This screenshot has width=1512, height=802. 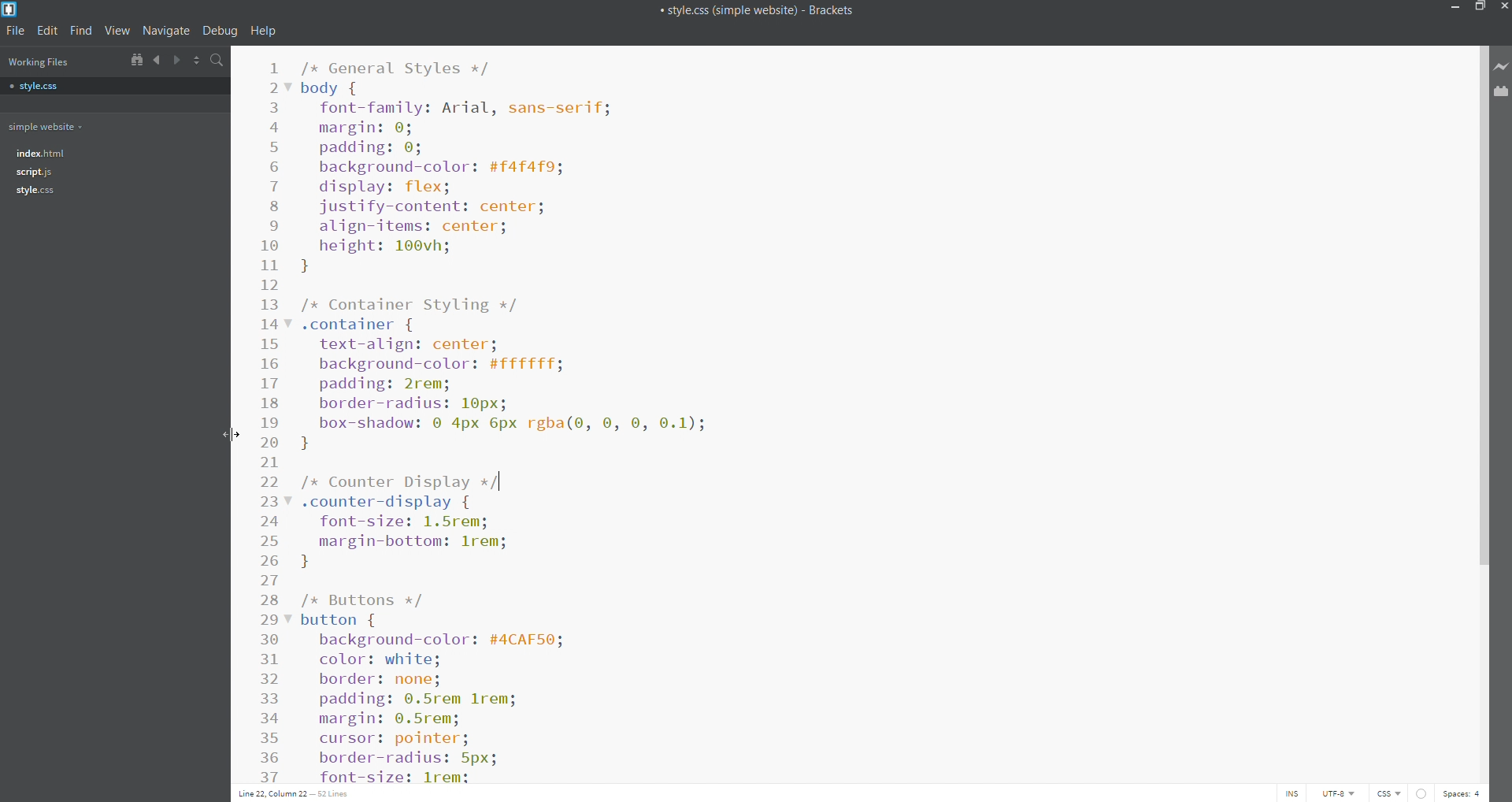 What do you see at coordinates (268, 418) in the screenshot?
I see `line number` at bounding box center [268, 418].